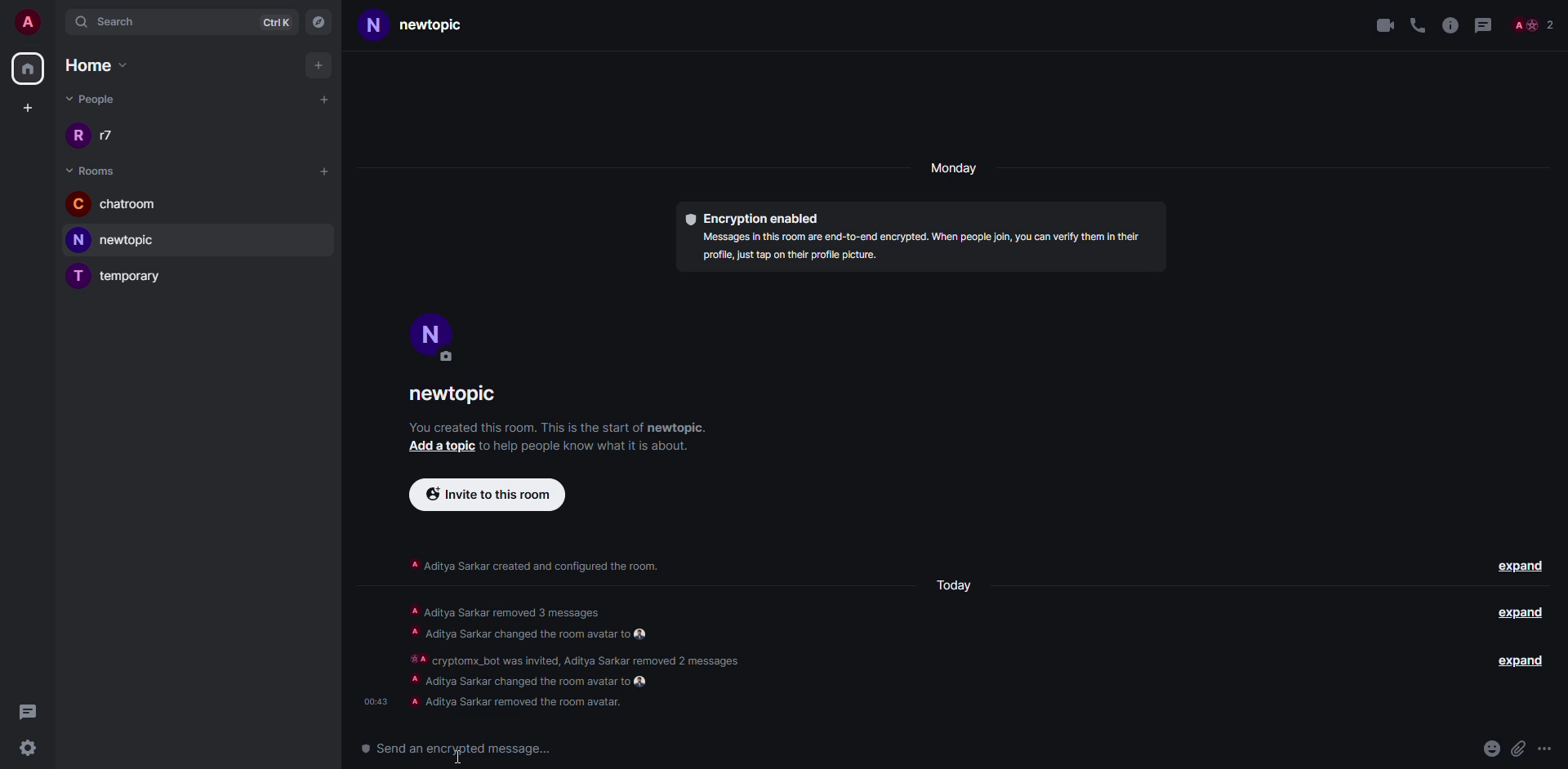 The image size is (1568, 769). What do you see at coordinates (1544, 749) in the screenshot?
I see `more` at bounding box center [1544, 749].